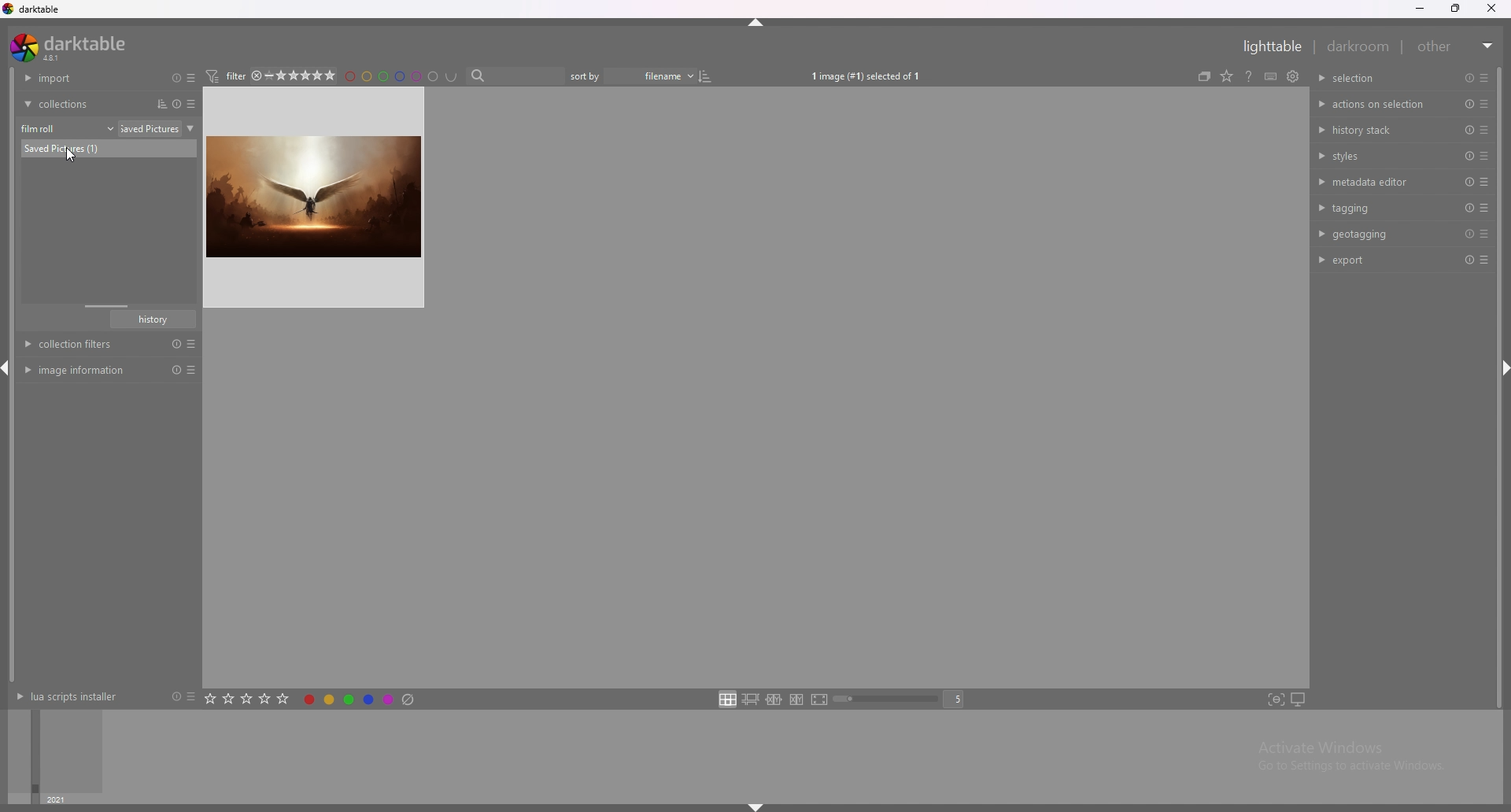 This screenshot has height=812, width=1511. What do you see at coordinates (1269, 76) in the screenshot?
I see `online help` at bounding box center [1269, 76].